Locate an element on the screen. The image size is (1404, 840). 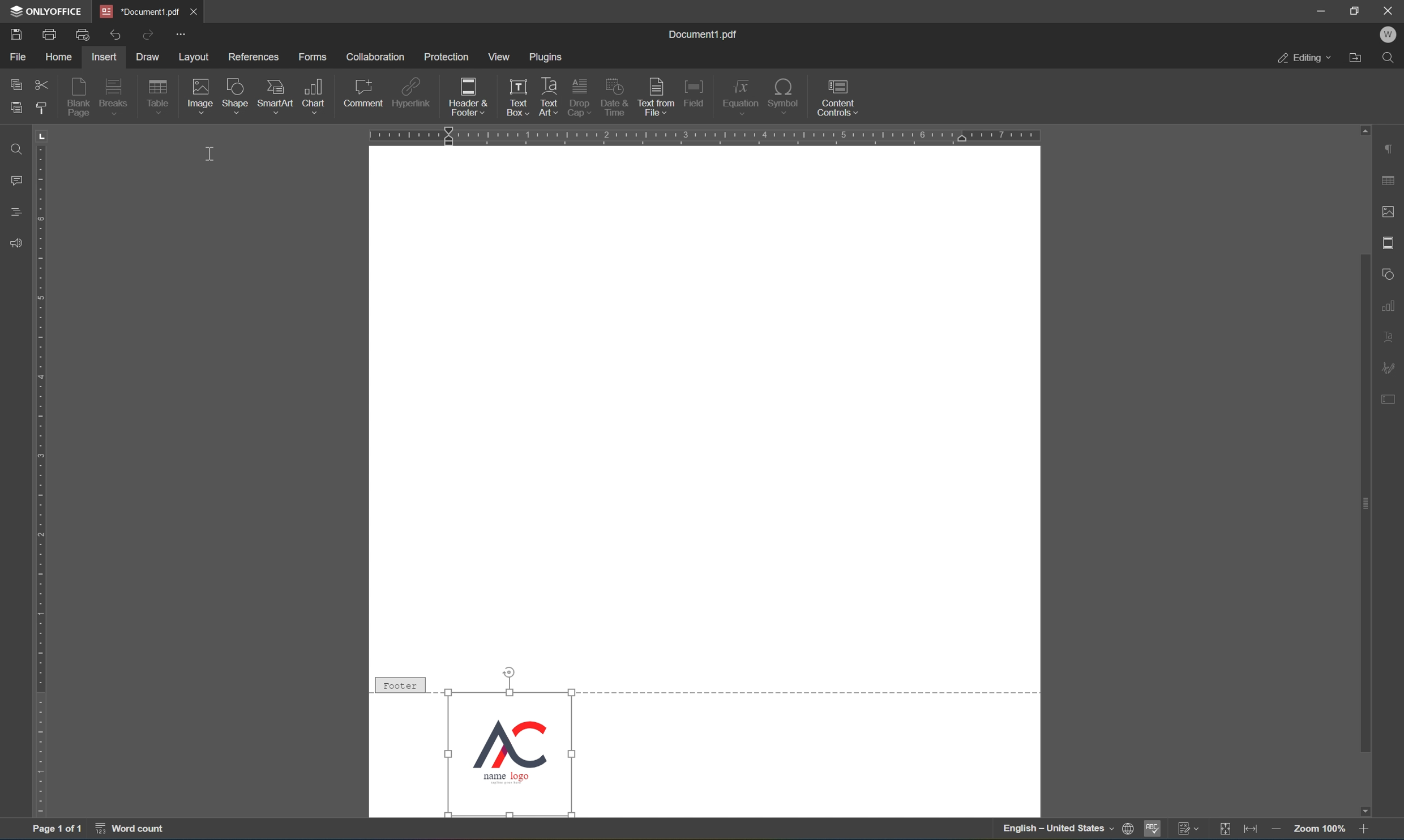
blank page is located at coordinates (79, 97).